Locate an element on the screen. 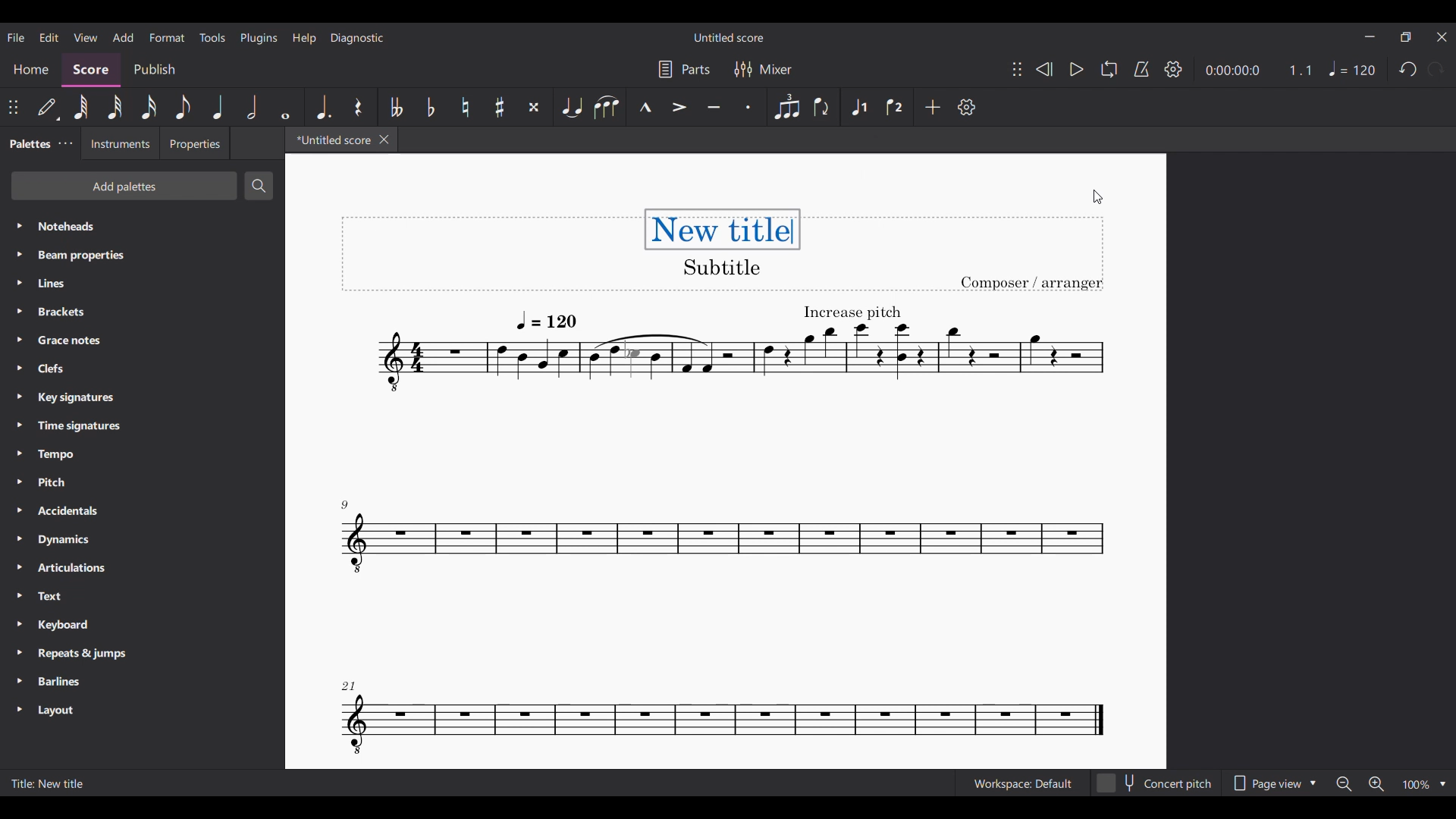 The width and height of the screenshot is (1456, 819). Grace notes is located at coordinates (142, 340).